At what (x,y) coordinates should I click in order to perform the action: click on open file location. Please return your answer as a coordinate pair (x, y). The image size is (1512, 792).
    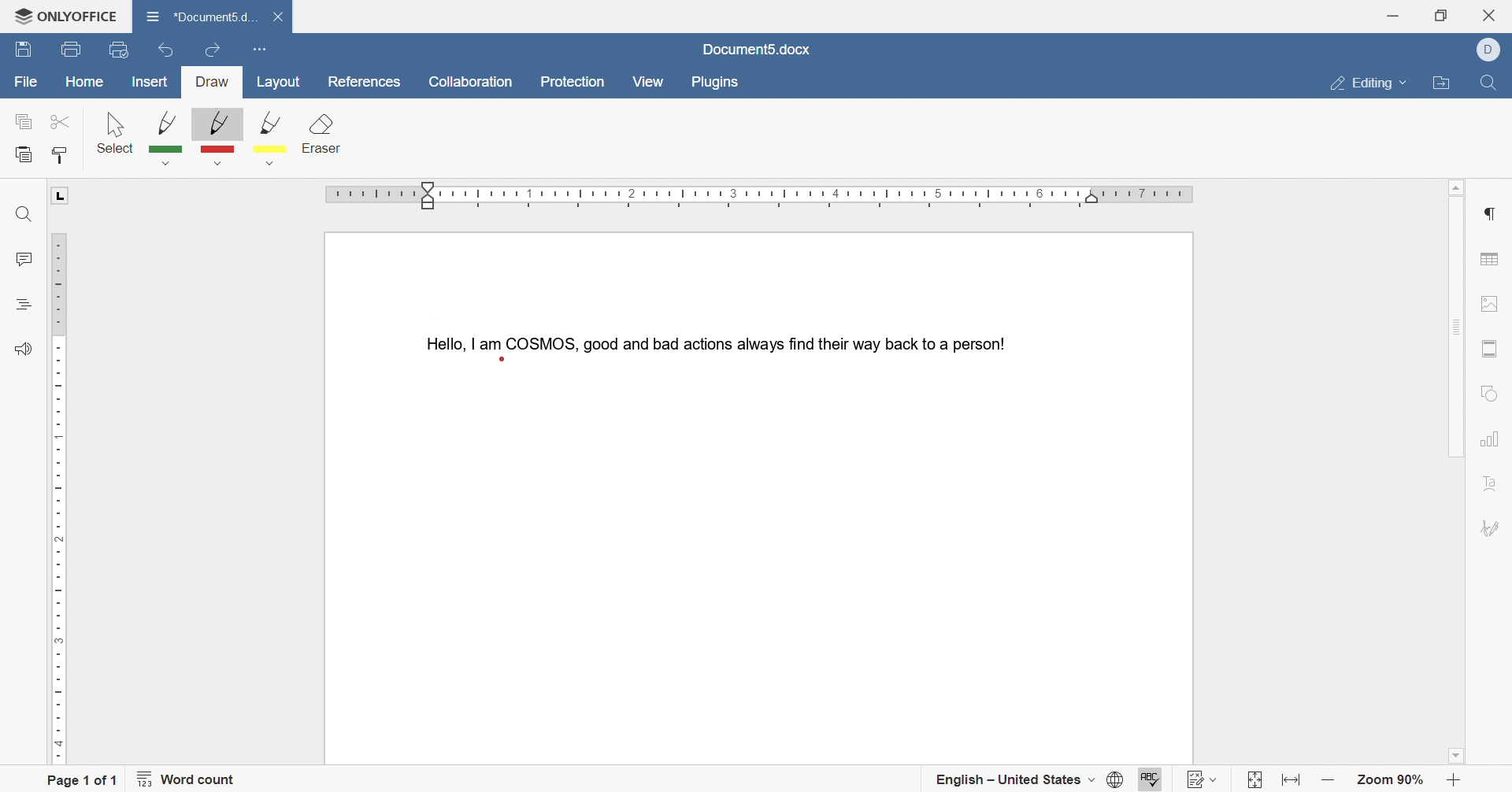
    Looking at the image, I should click on (1444, 85).